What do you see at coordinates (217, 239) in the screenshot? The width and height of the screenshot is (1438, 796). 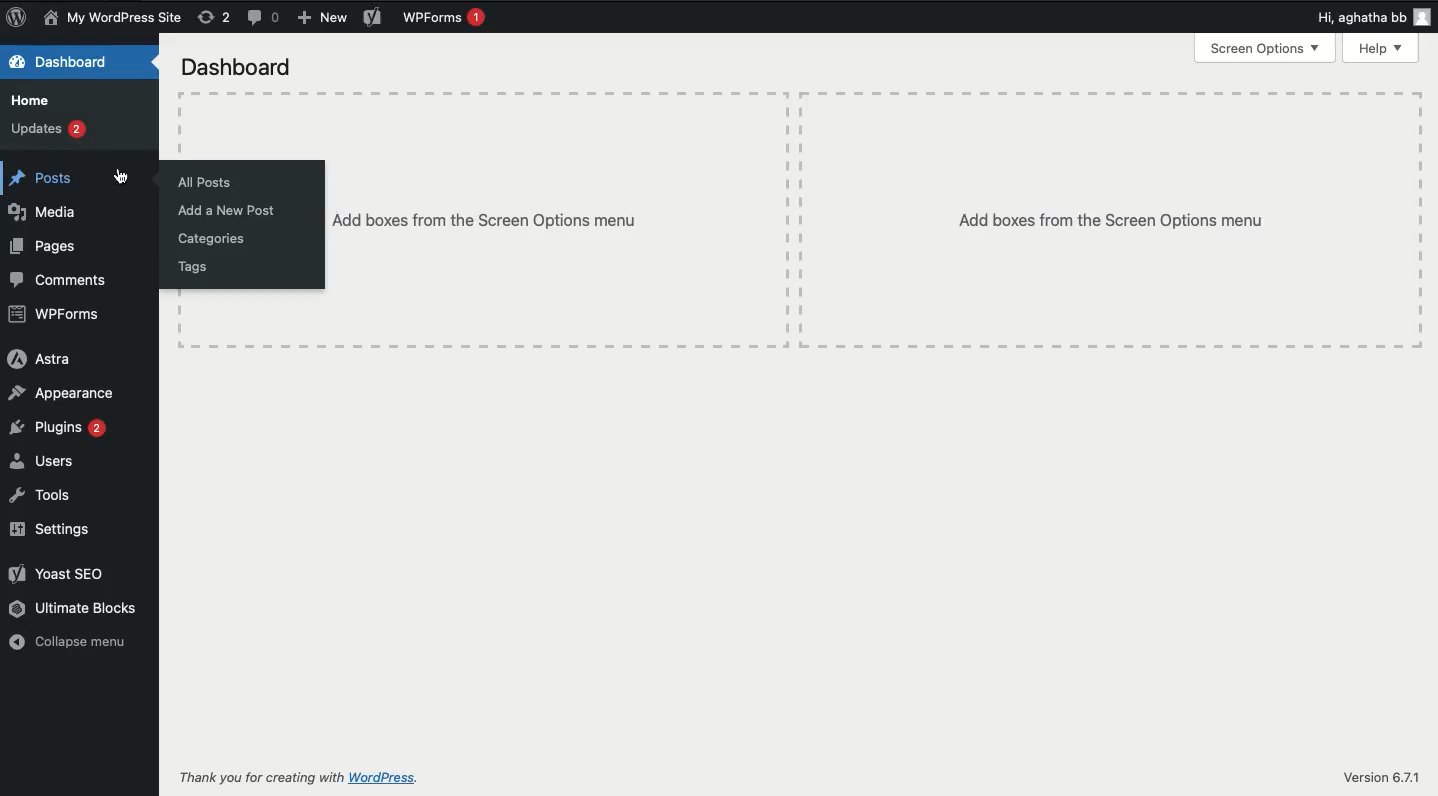 I see `Categories` at bounding box center [217, 239].